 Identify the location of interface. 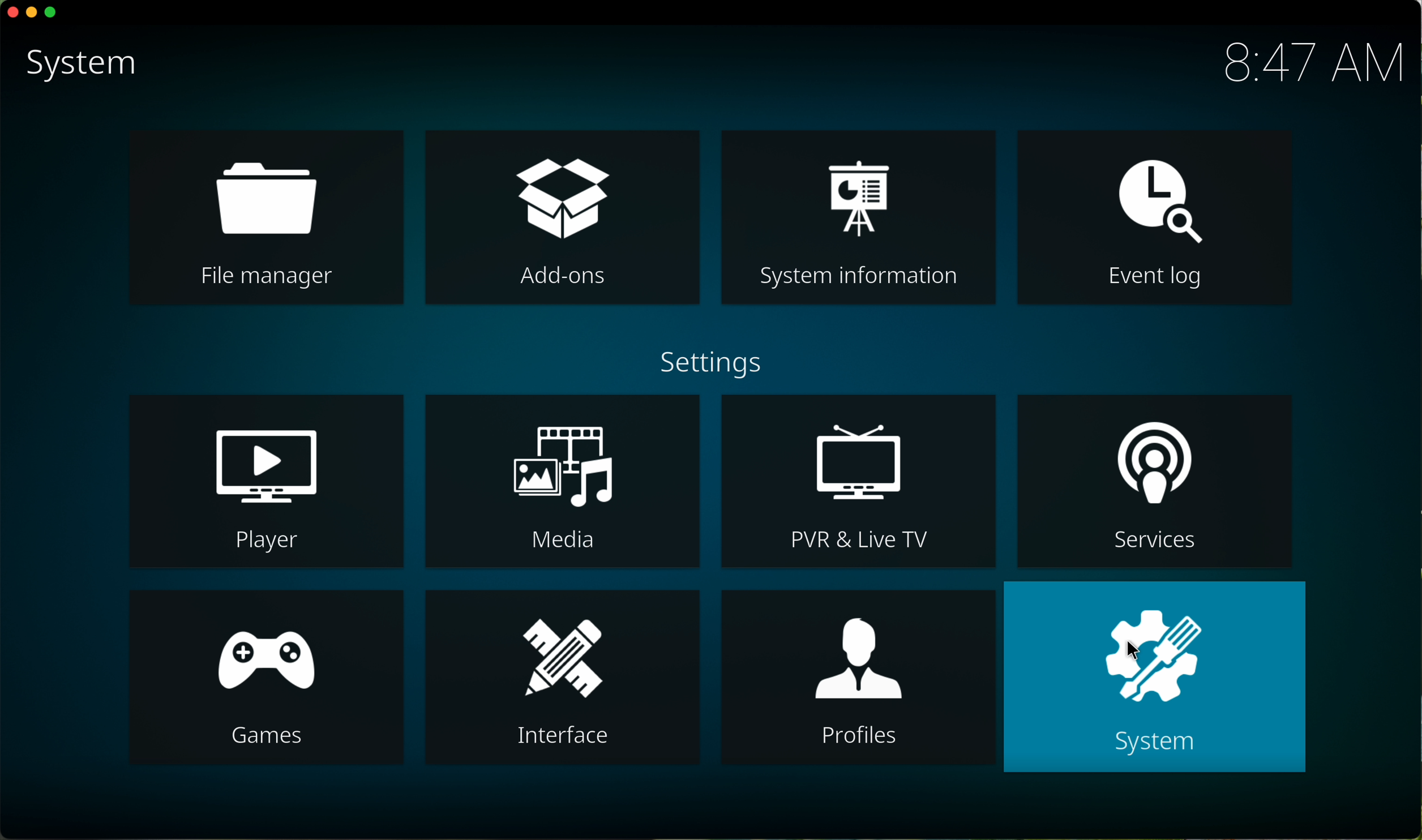
(565, 676).